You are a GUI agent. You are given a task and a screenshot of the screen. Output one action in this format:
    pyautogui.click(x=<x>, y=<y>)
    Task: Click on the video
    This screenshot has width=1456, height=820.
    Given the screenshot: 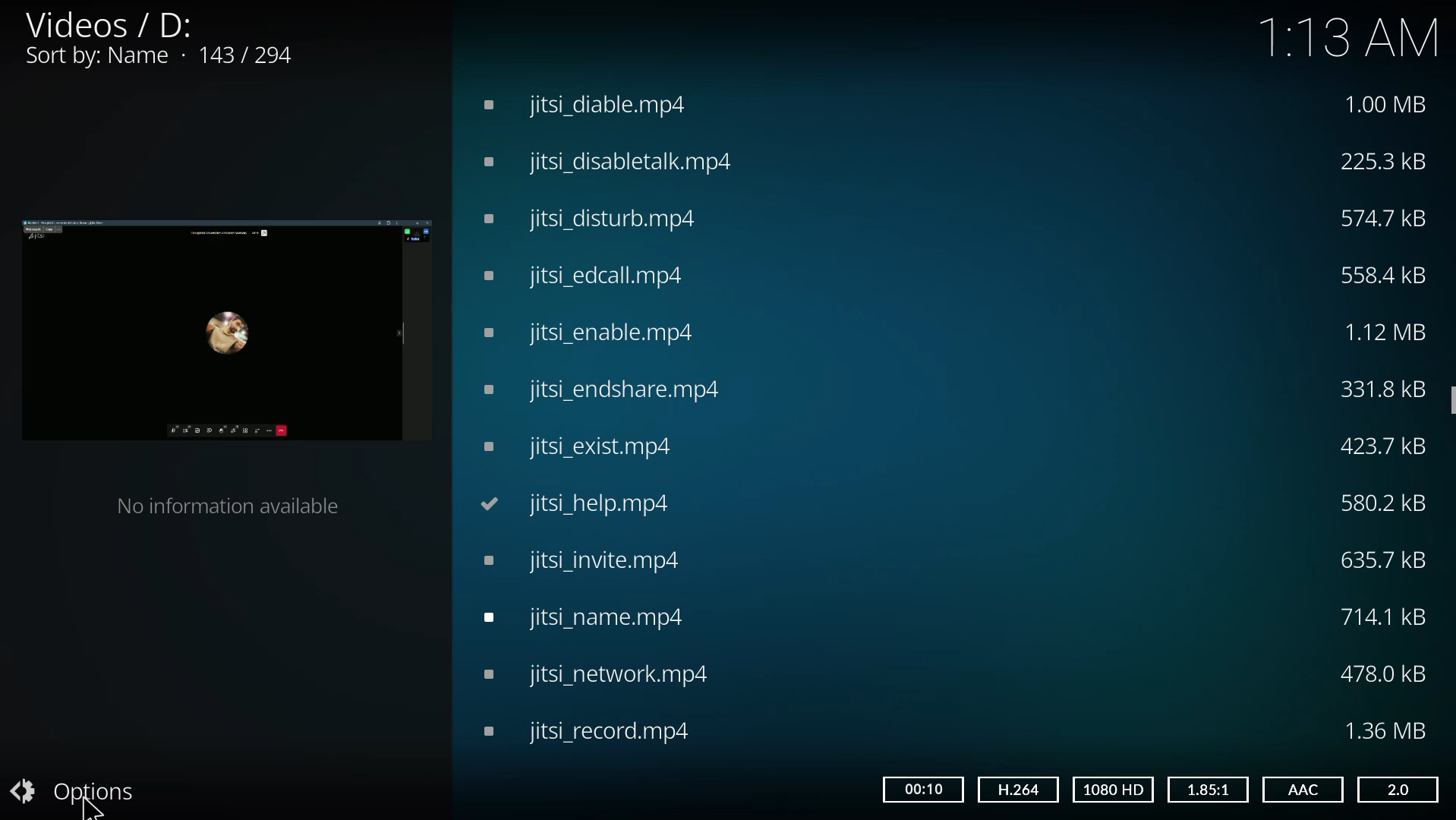 What is the action you would take?
    pyautogui.click(x=594, y=219)
    